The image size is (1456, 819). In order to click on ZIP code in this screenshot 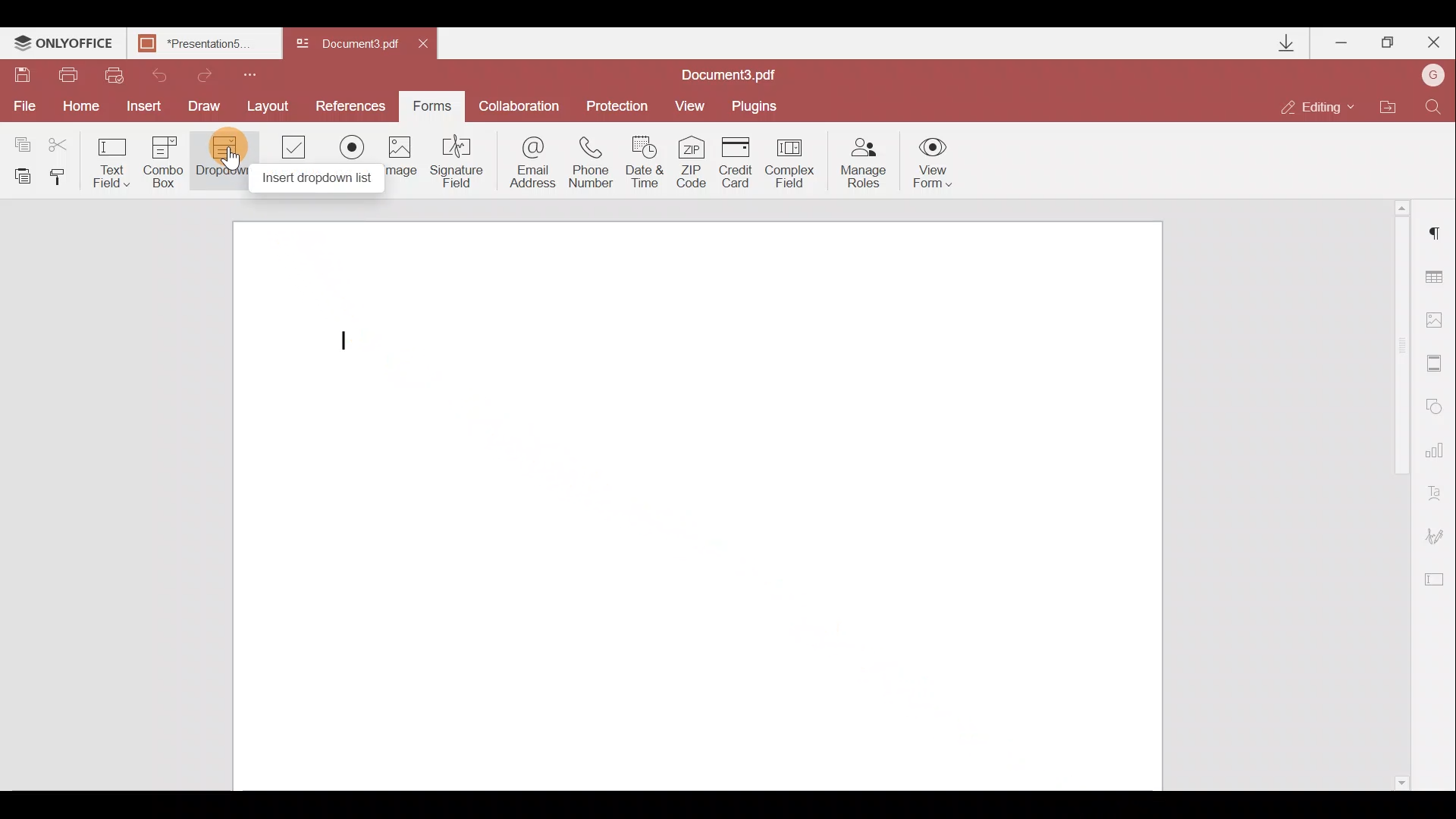, I will do `click(696, 165)`.